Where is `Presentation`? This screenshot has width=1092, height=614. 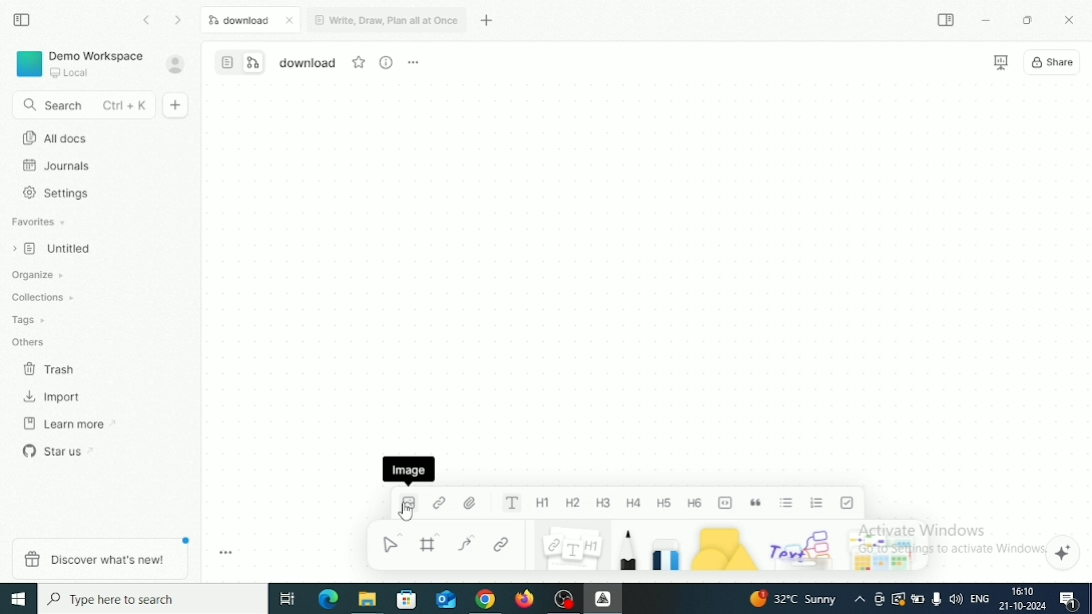
Presentation is located at coordinates (1001, 63).